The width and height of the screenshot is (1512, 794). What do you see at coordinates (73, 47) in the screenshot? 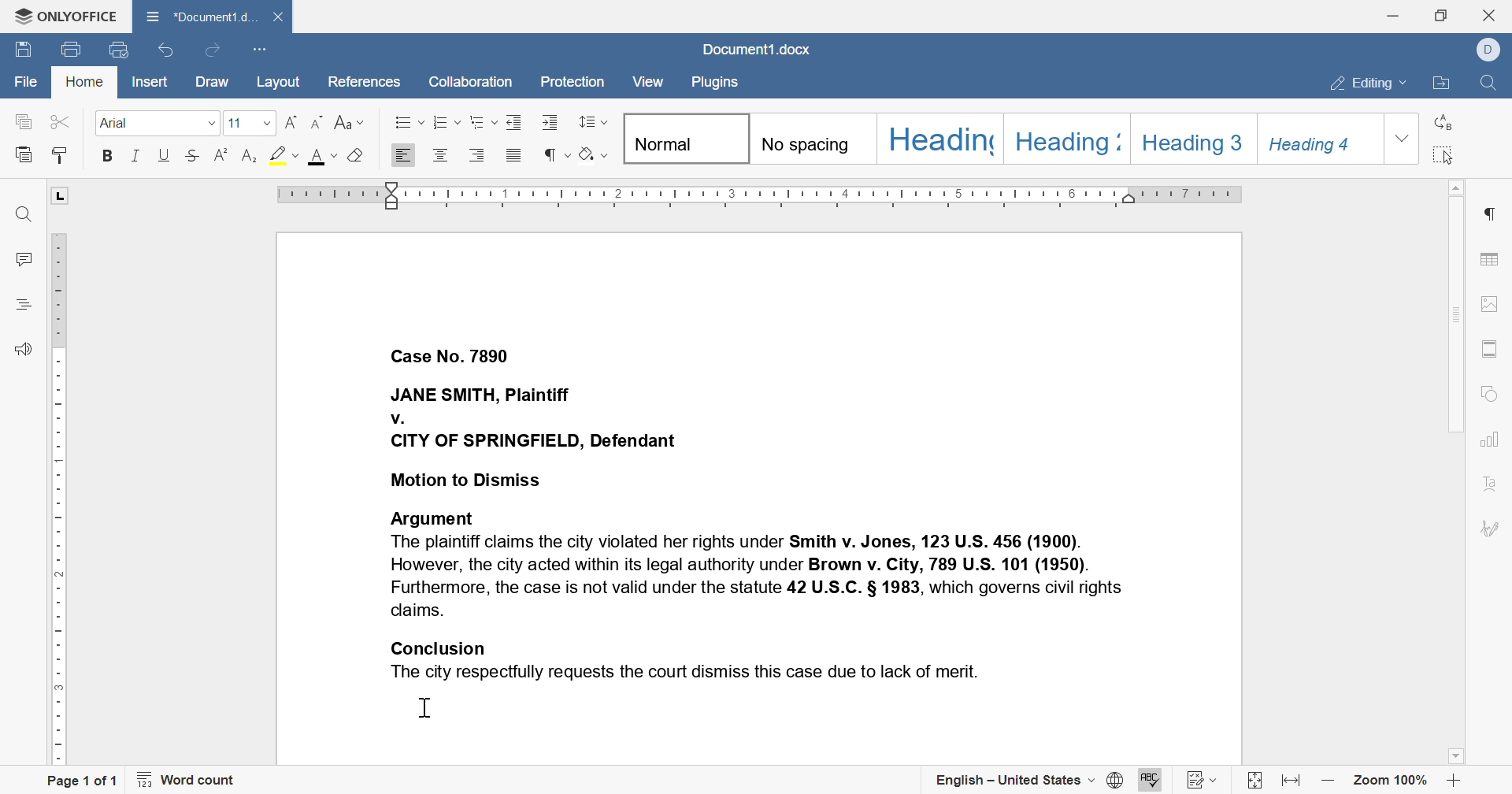
I see `quick print` at bounding box center [73, 47].